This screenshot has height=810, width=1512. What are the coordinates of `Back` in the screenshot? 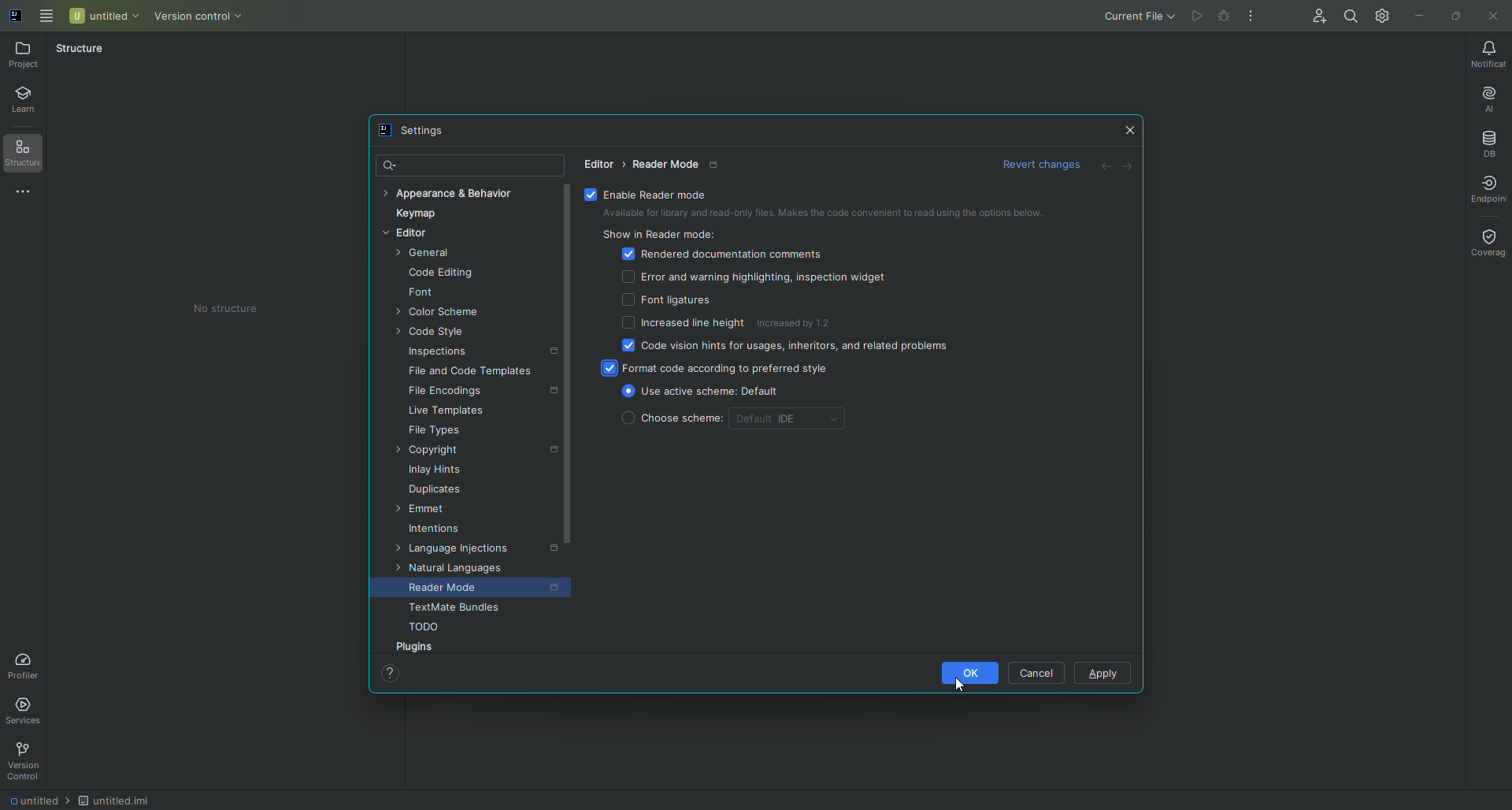 It's located at (1104, 168).